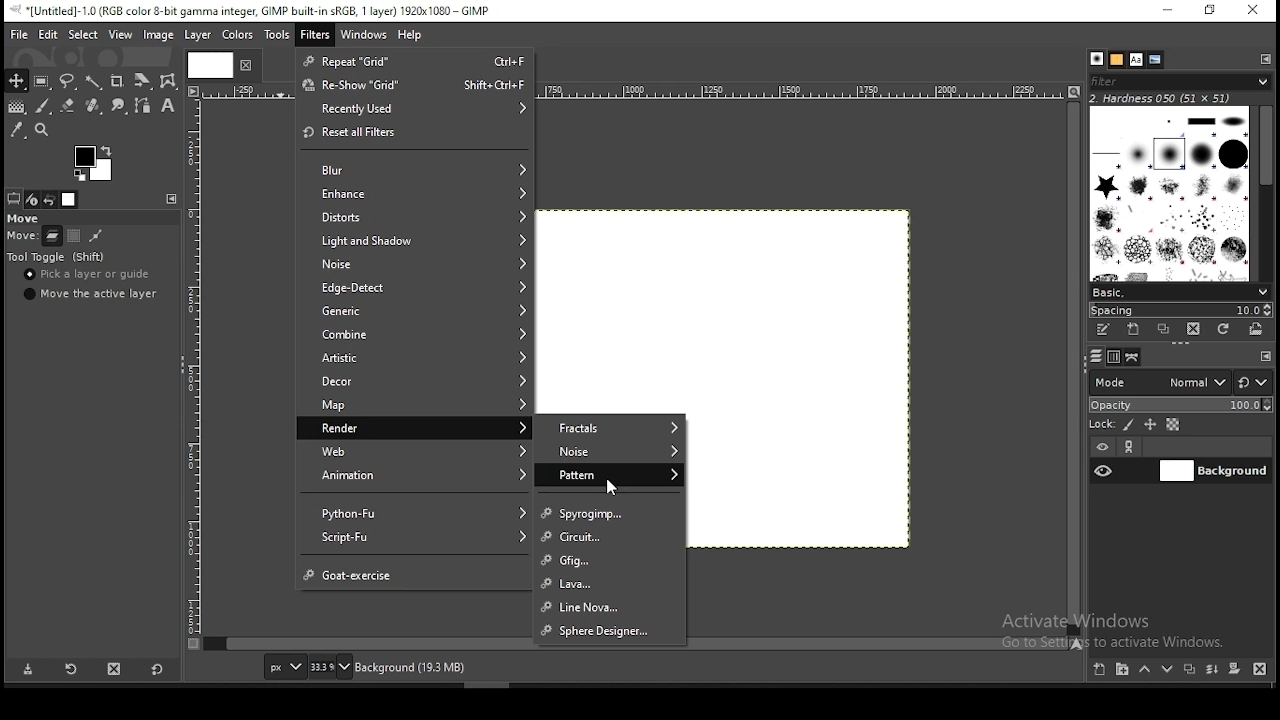 The image size is (1280, 720). I want to click on brushes filter, so click(1180, 81).